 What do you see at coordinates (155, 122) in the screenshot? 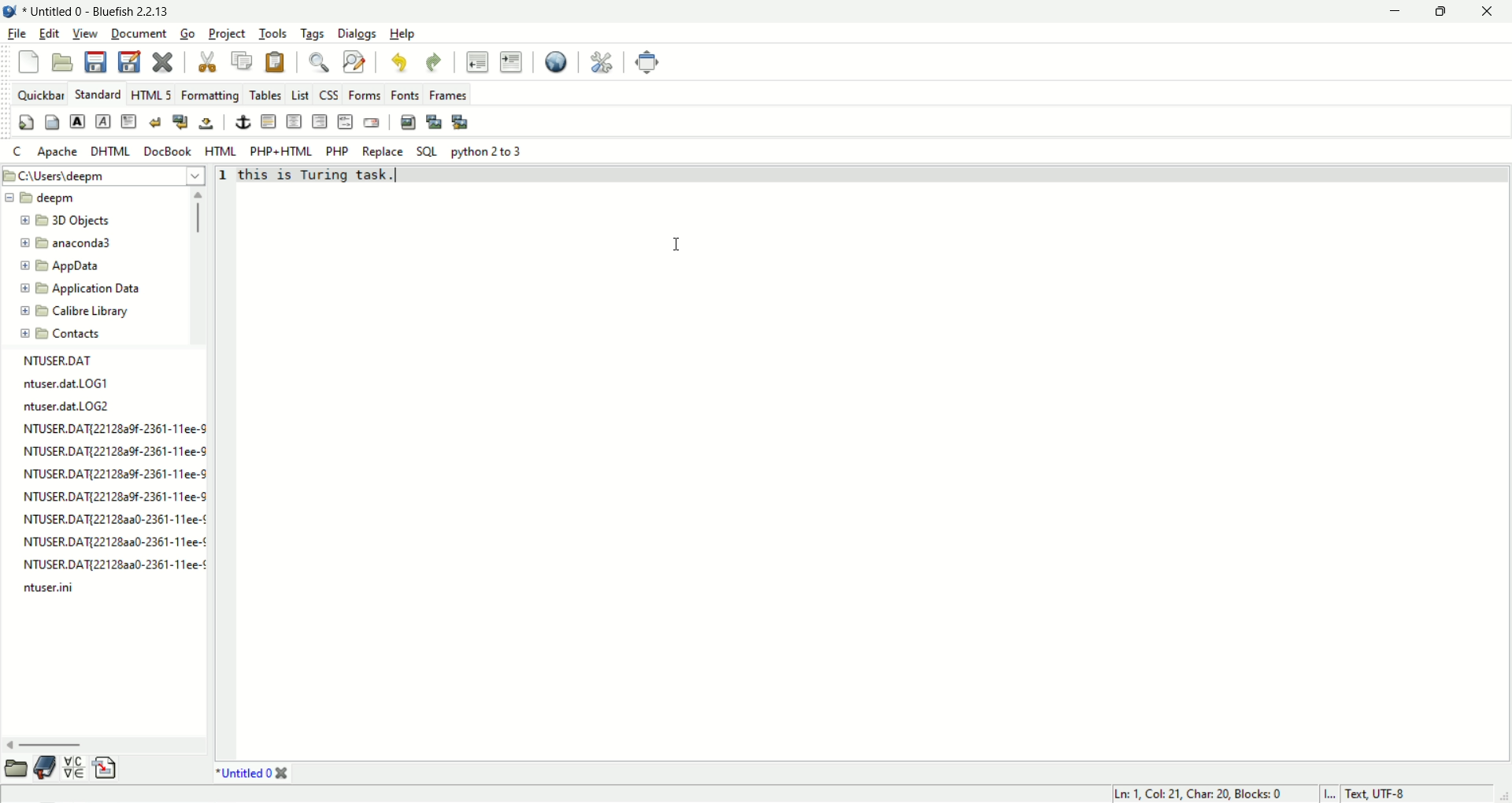
I see `break` at bounding box center [155, 122].